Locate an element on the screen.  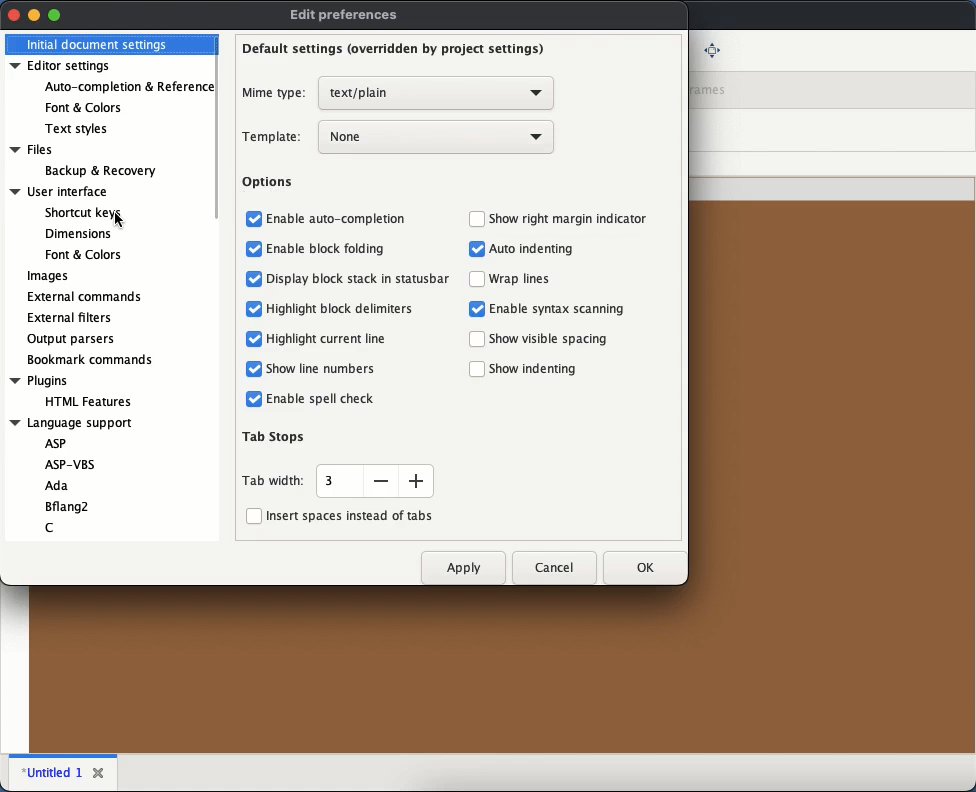
Highlight current line is located at coordinates (333, 338).